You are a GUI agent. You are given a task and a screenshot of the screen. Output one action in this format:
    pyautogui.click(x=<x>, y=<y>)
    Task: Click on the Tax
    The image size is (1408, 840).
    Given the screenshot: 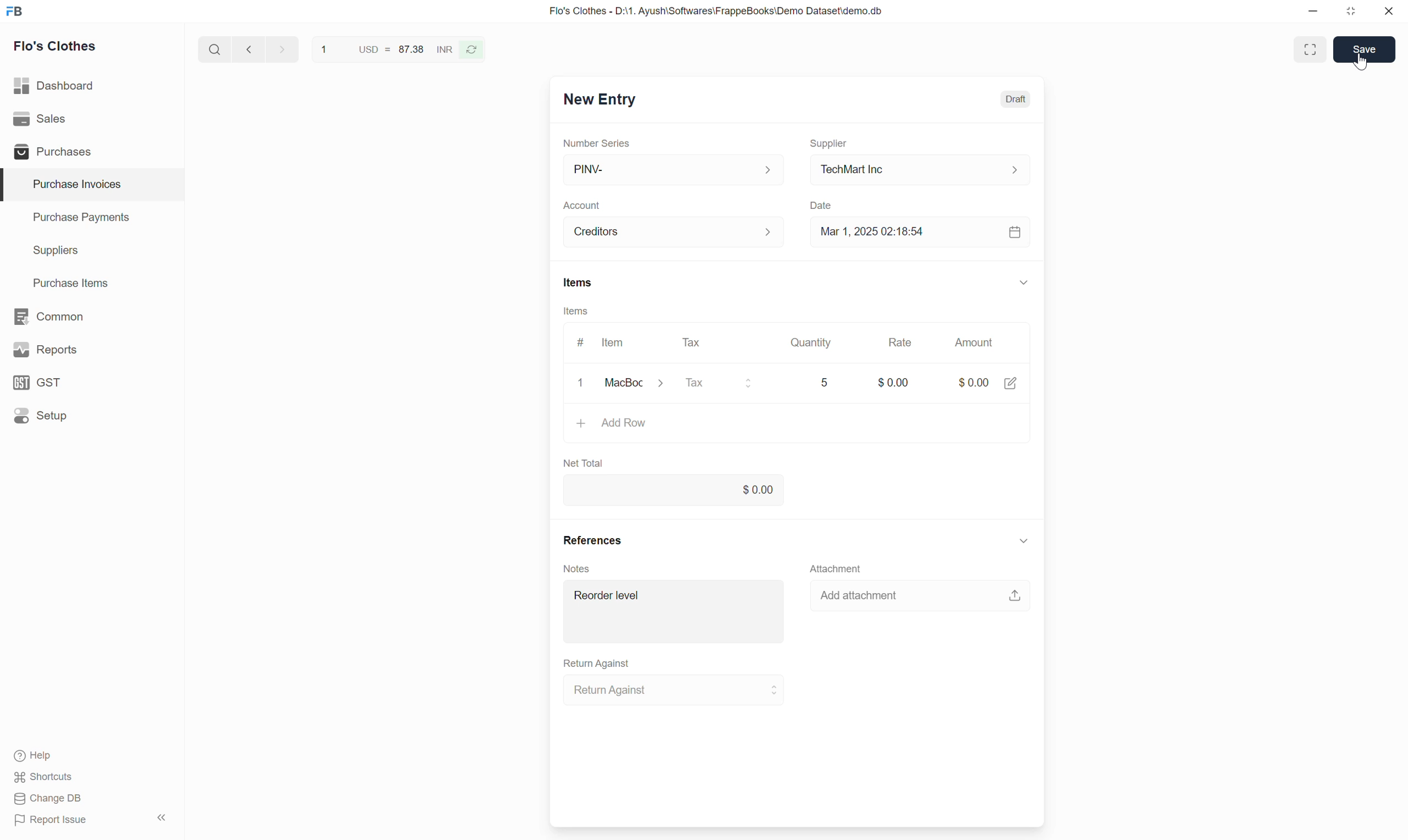 What is the action you would take?
    pyautogui.click(x=695, y=342)
    